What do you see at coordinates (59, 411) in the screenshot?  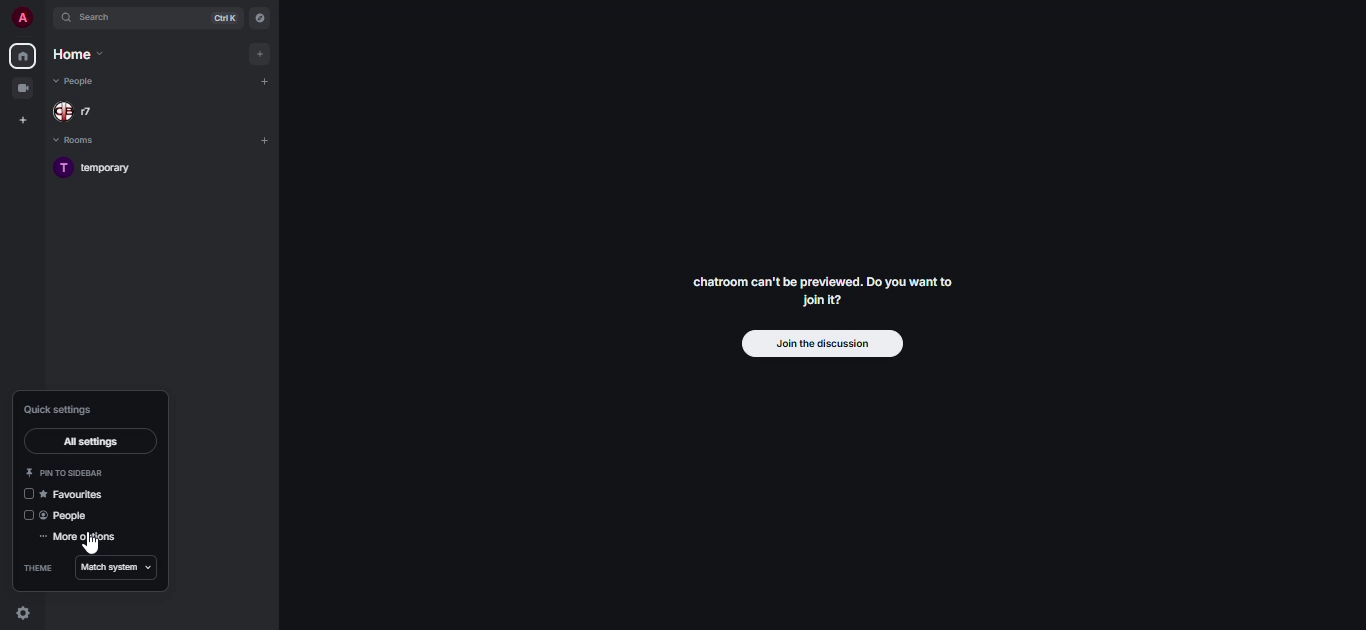 I see `quick settings` at bounding box center [59, 411].